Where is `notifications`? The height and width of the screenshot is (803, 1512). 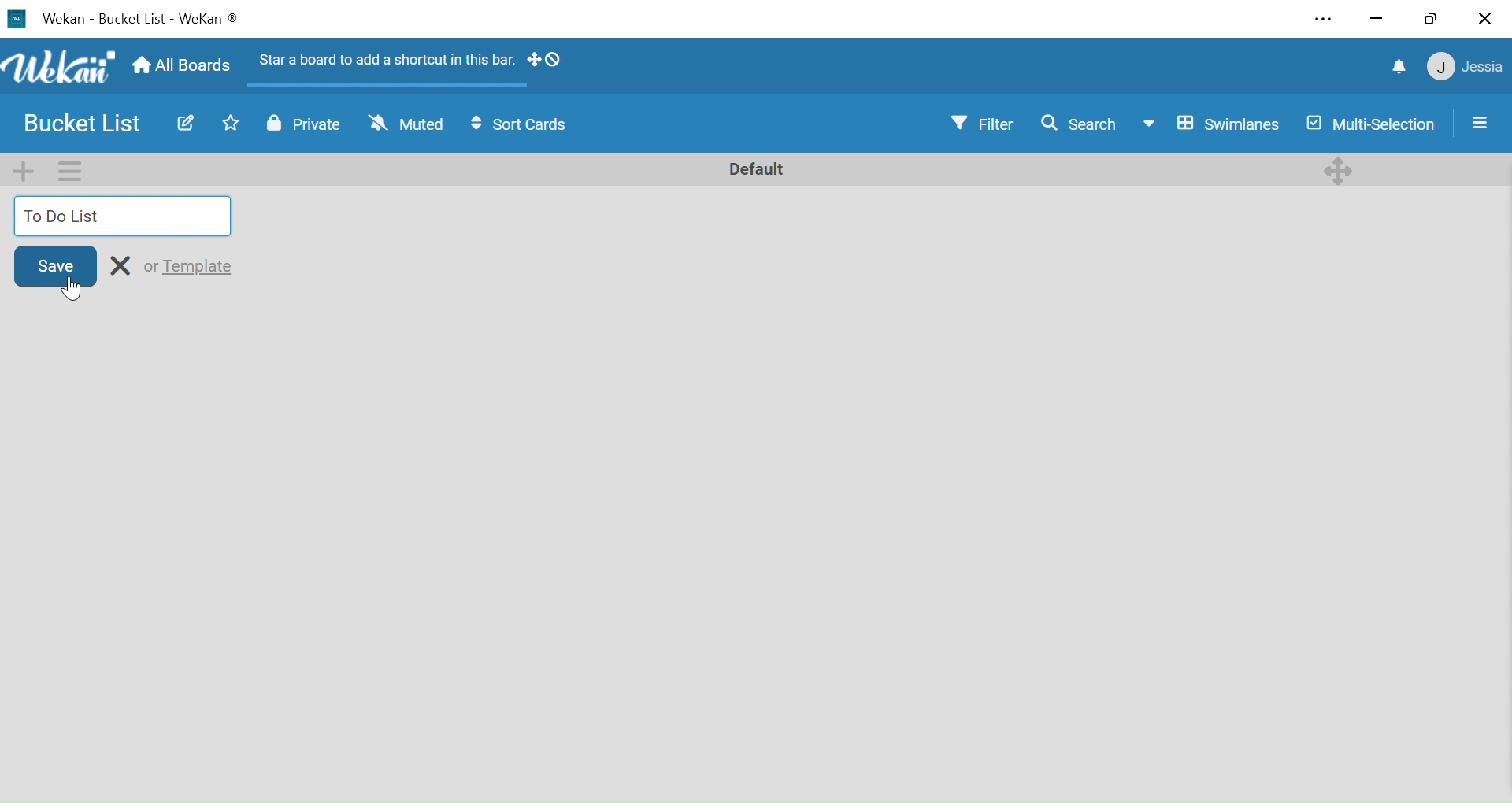
notifications is located at coordinates (1401, 68).